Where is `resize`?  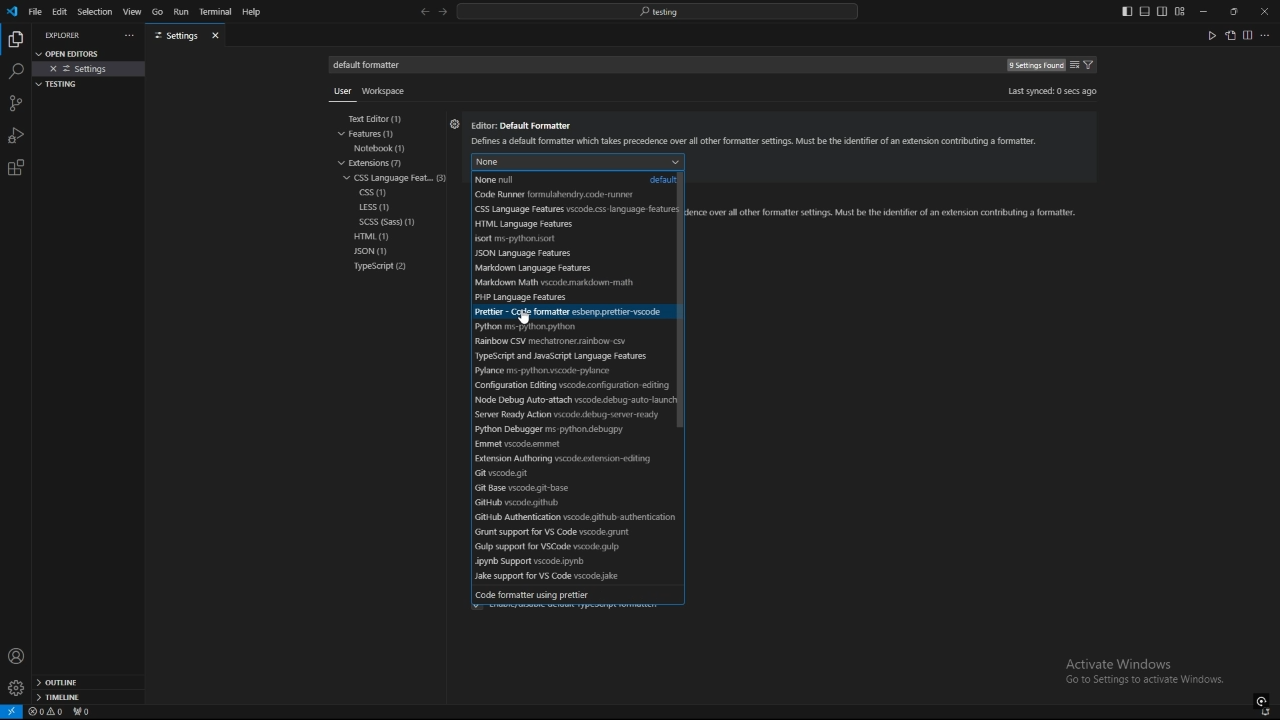 resize is located at coordinates (1233, 11).